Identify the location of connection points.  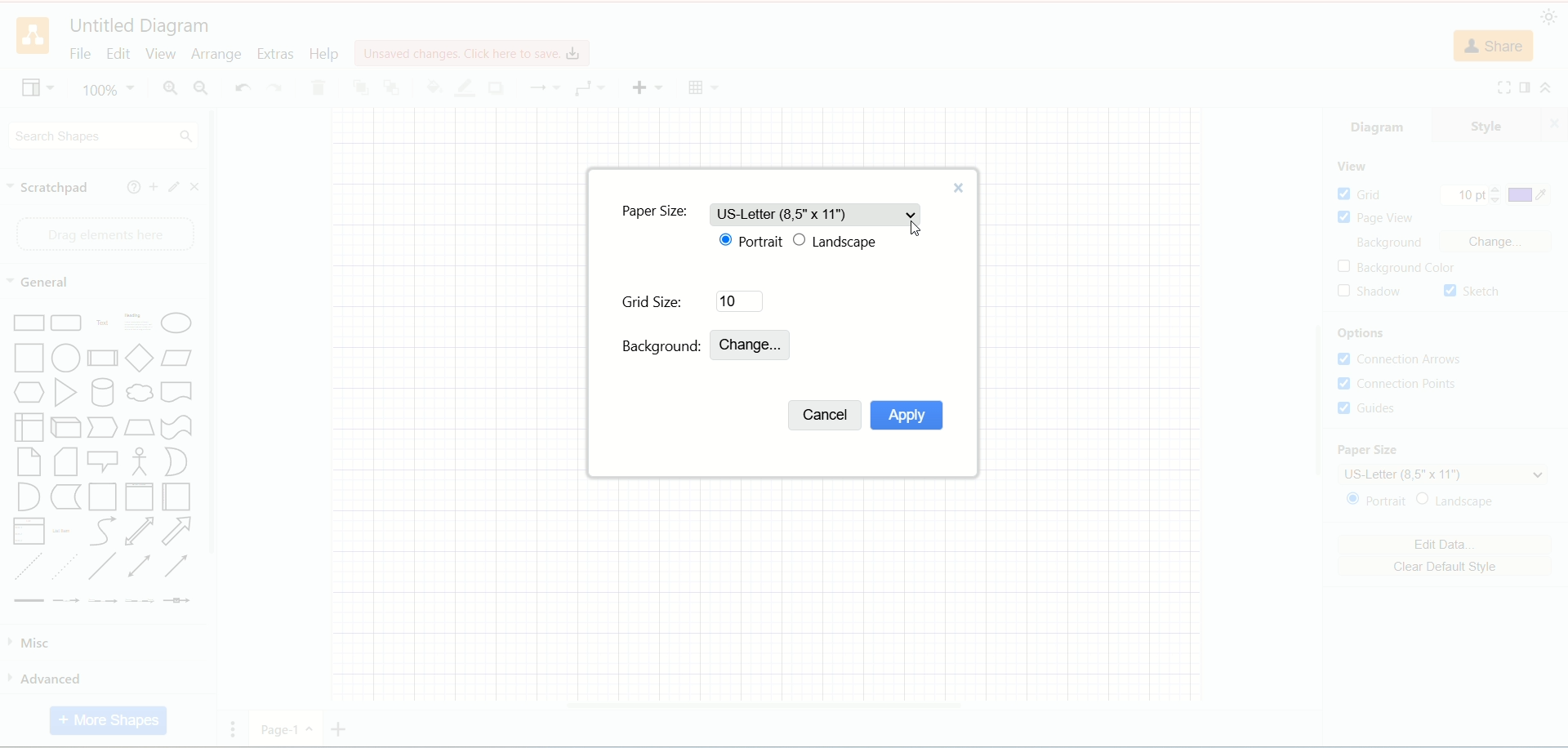
(1397, 383).